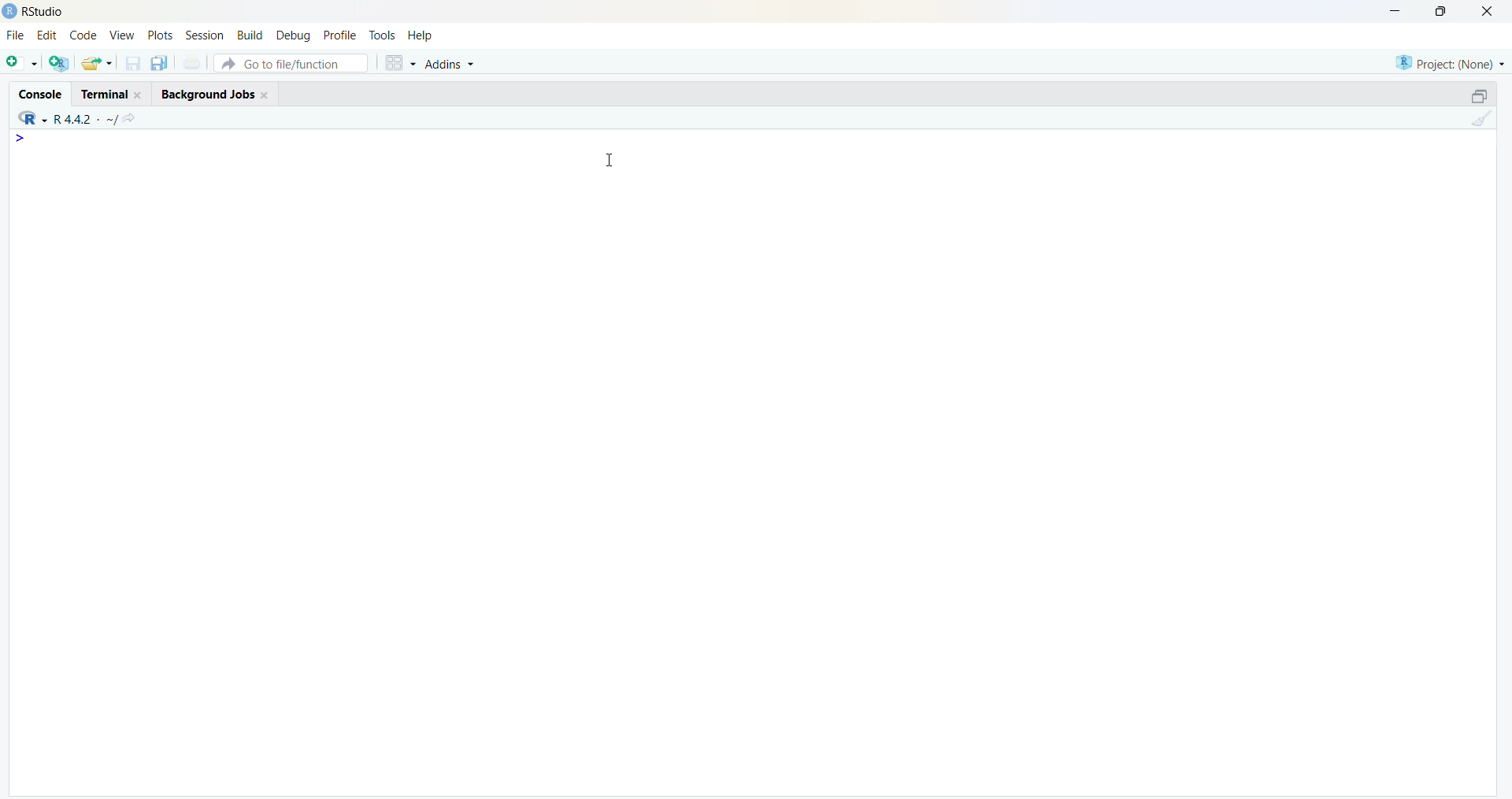  I want to click on print, so click(192, 63).